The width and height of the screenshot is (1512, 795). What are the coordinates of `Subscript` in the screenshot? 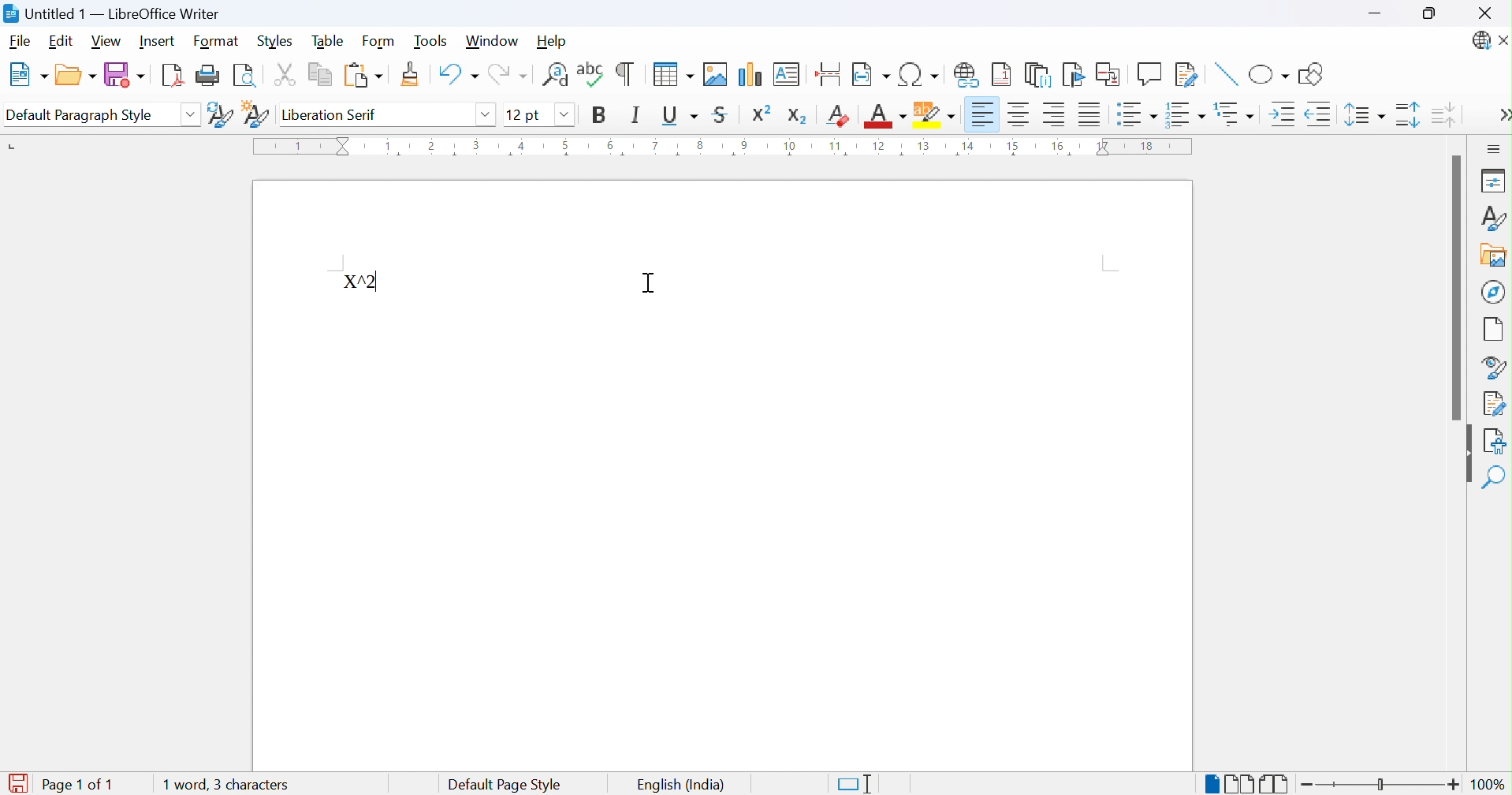 It's located at (799, 118).